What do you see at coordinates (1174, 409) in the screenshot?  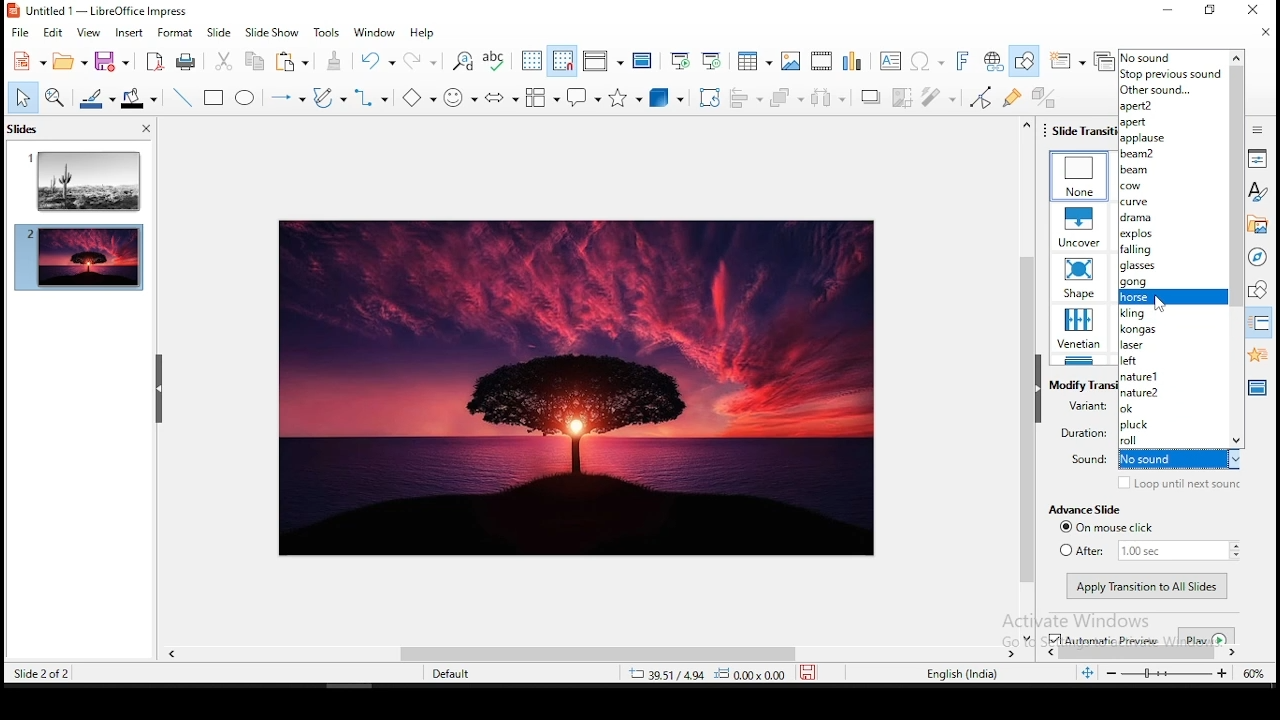 I see `ok` at bounding box center [1174, 409].